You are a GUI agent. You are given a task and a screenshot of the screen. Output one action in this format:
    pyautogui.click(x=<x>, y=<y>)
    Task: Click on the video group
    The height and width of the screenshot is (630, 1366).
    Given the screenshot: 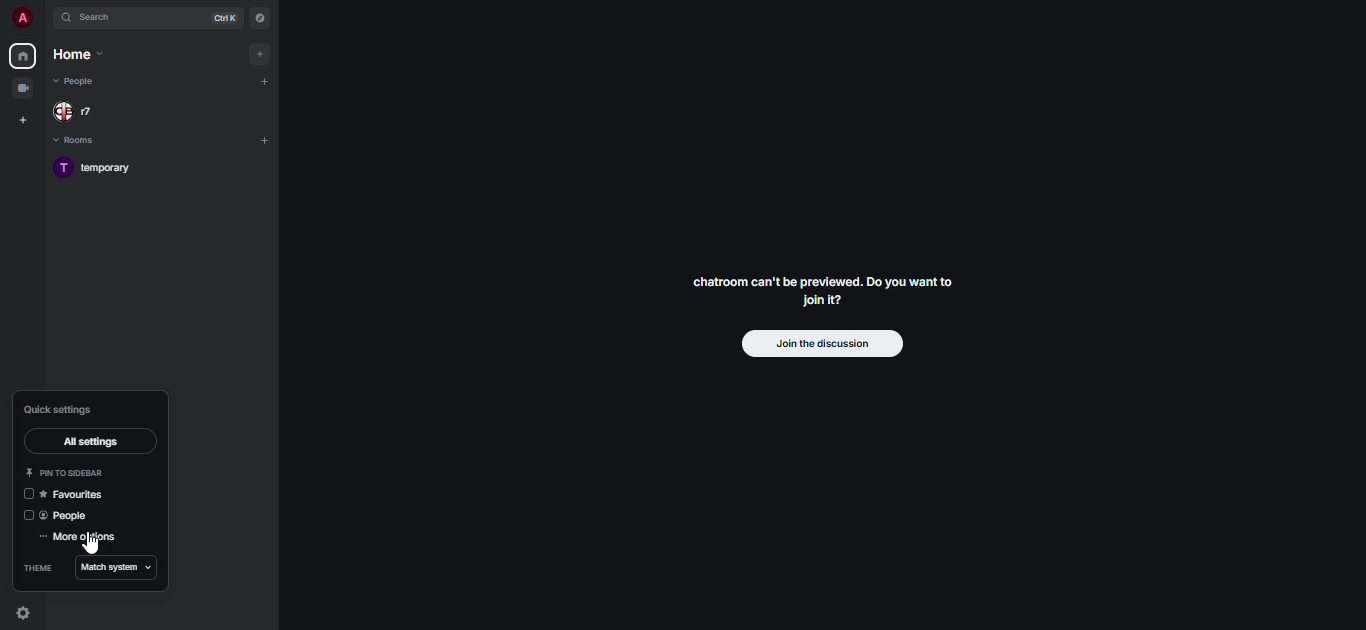 What is the action you would take?
    pyautogui.click(x=24, y=87)
    